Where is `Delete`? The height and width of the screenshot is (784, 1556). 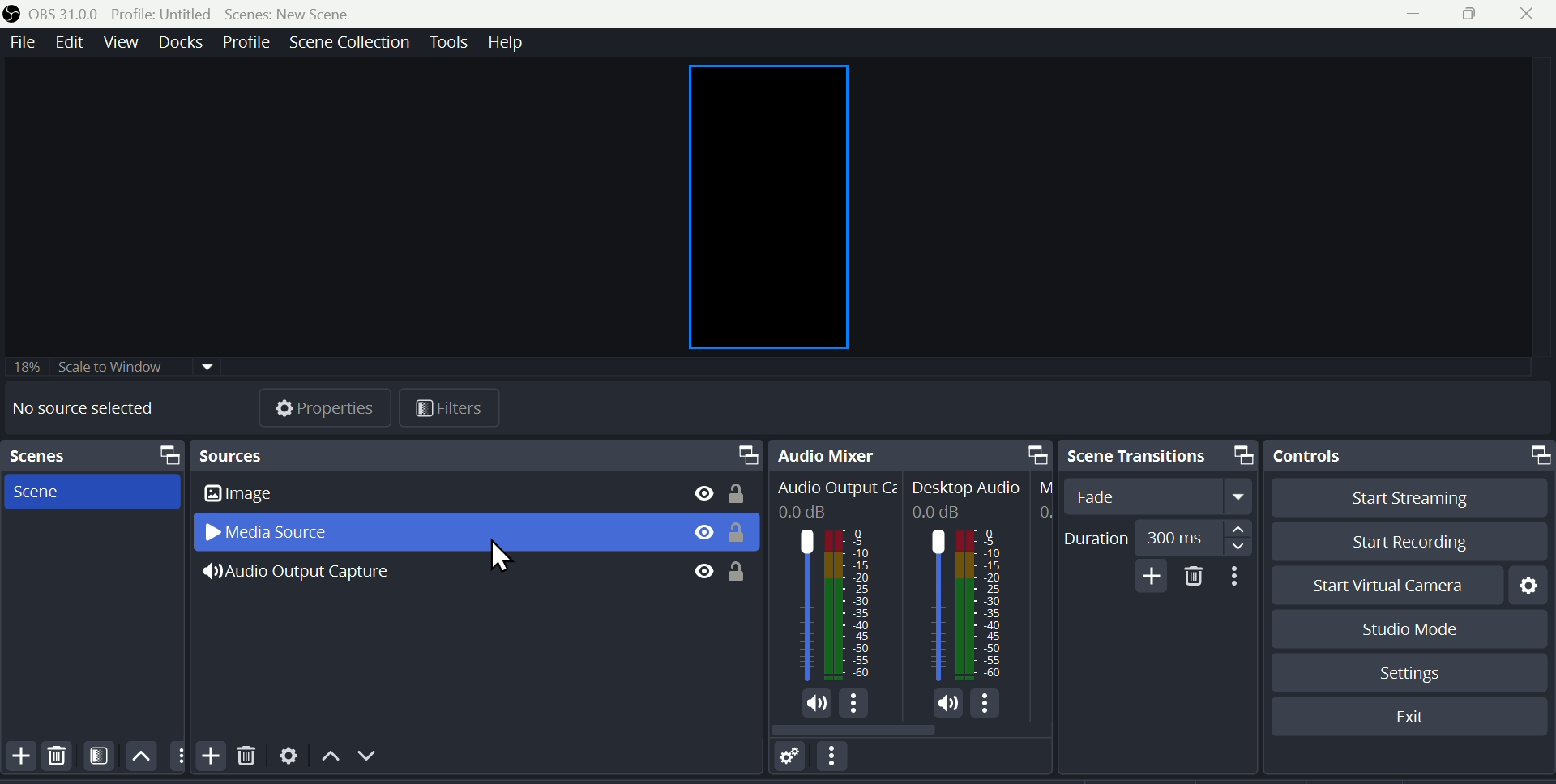
Delete is located at coordinates (1191, 575).